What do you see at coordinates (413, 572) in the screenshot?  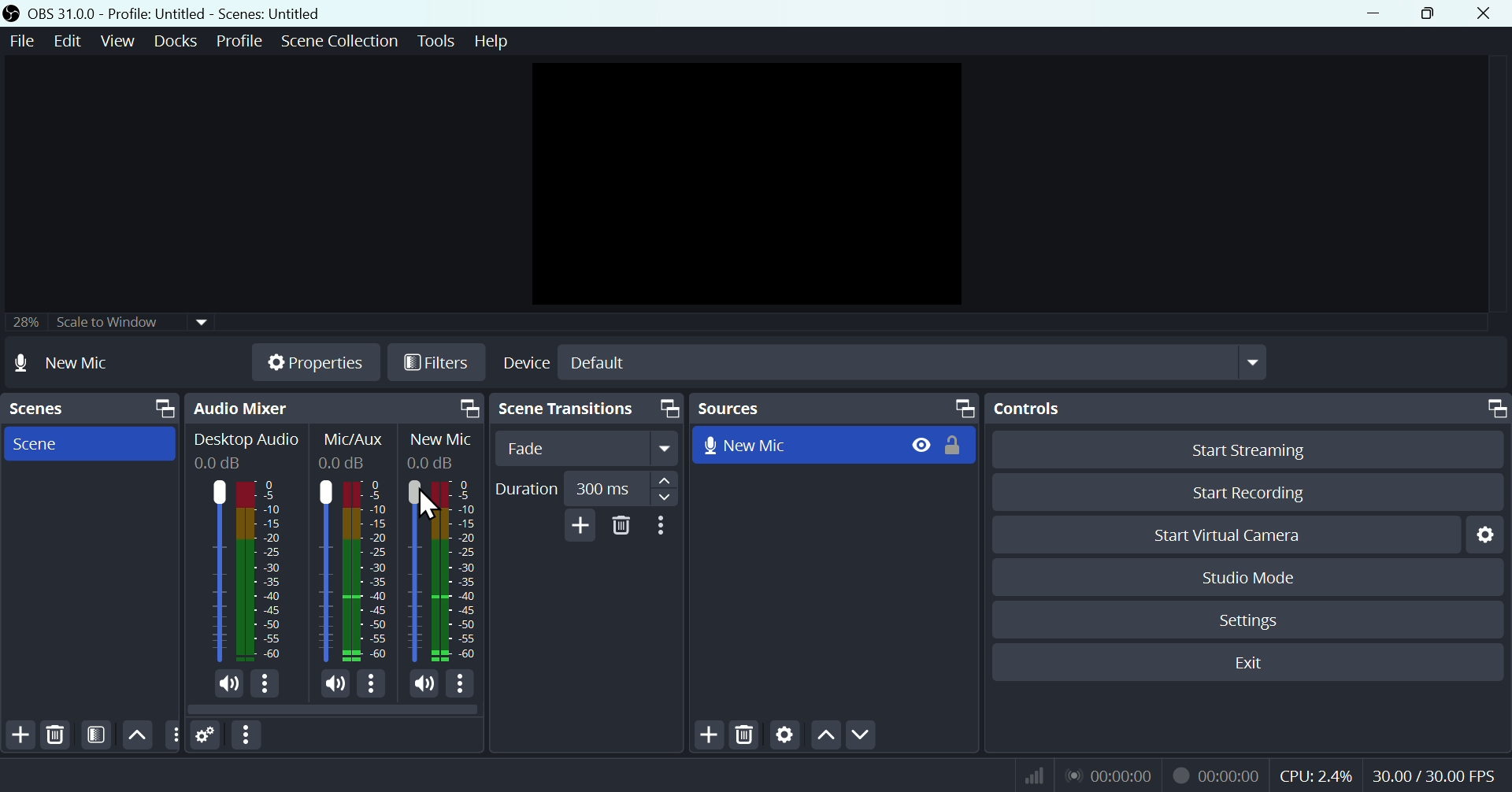 I see `Mic` at bounding box center [413, 572].